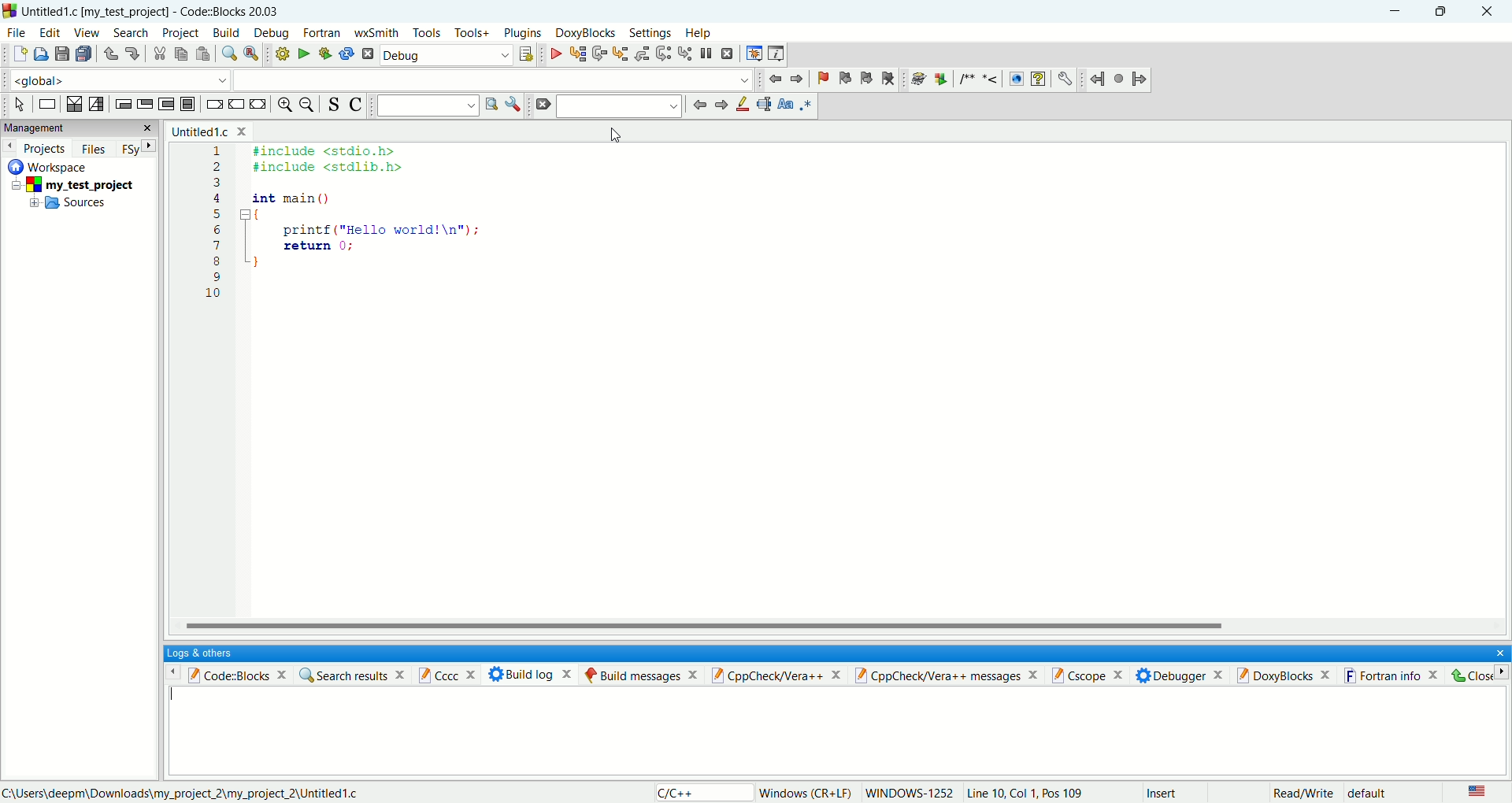 The width and height of the screenshot is (1512, 803). I want to click on exit condition loop, so click(144, 103).